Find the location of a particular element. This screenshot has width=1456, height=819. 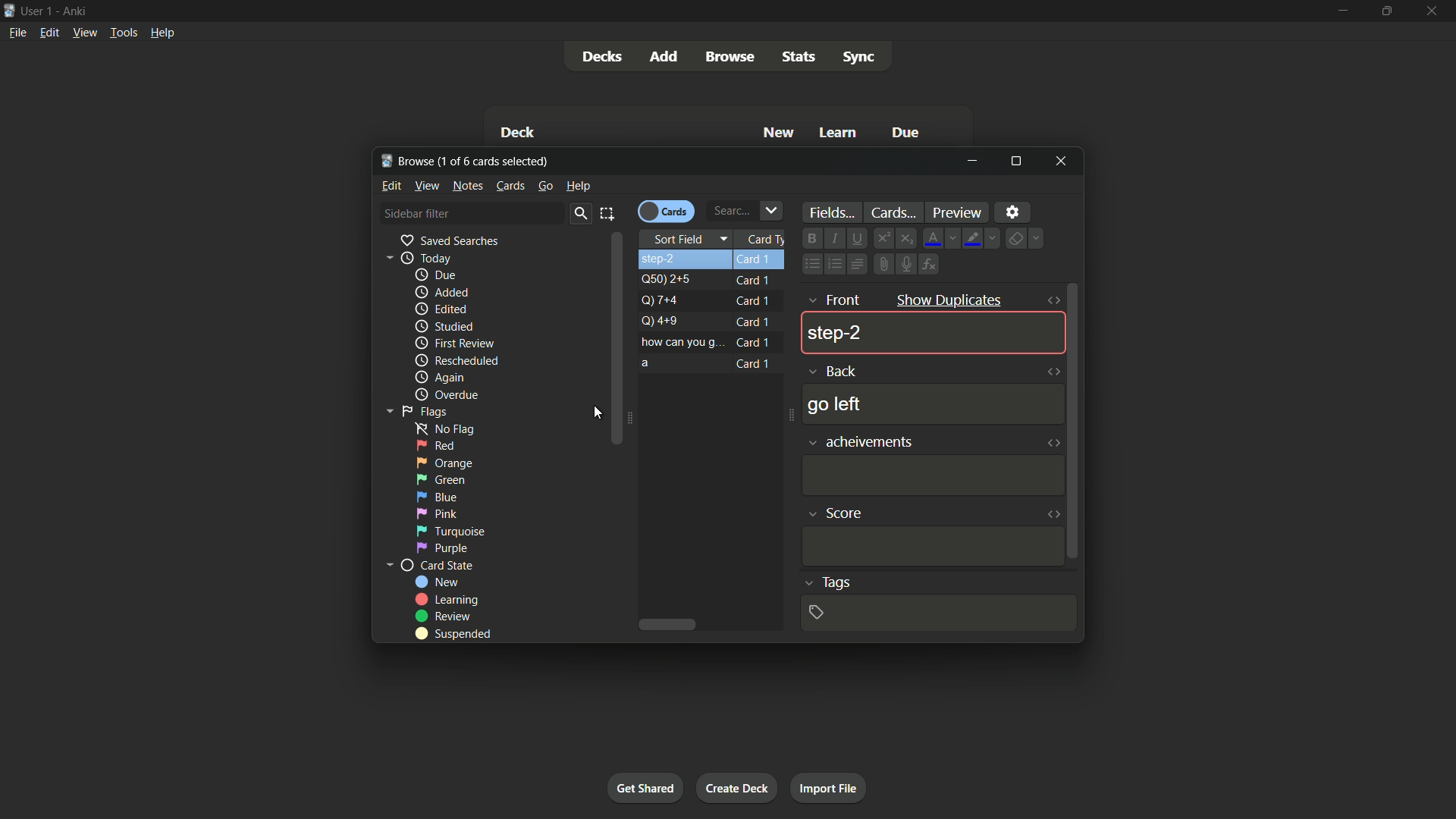

Show duplicate is located at coordinates (948, 299).